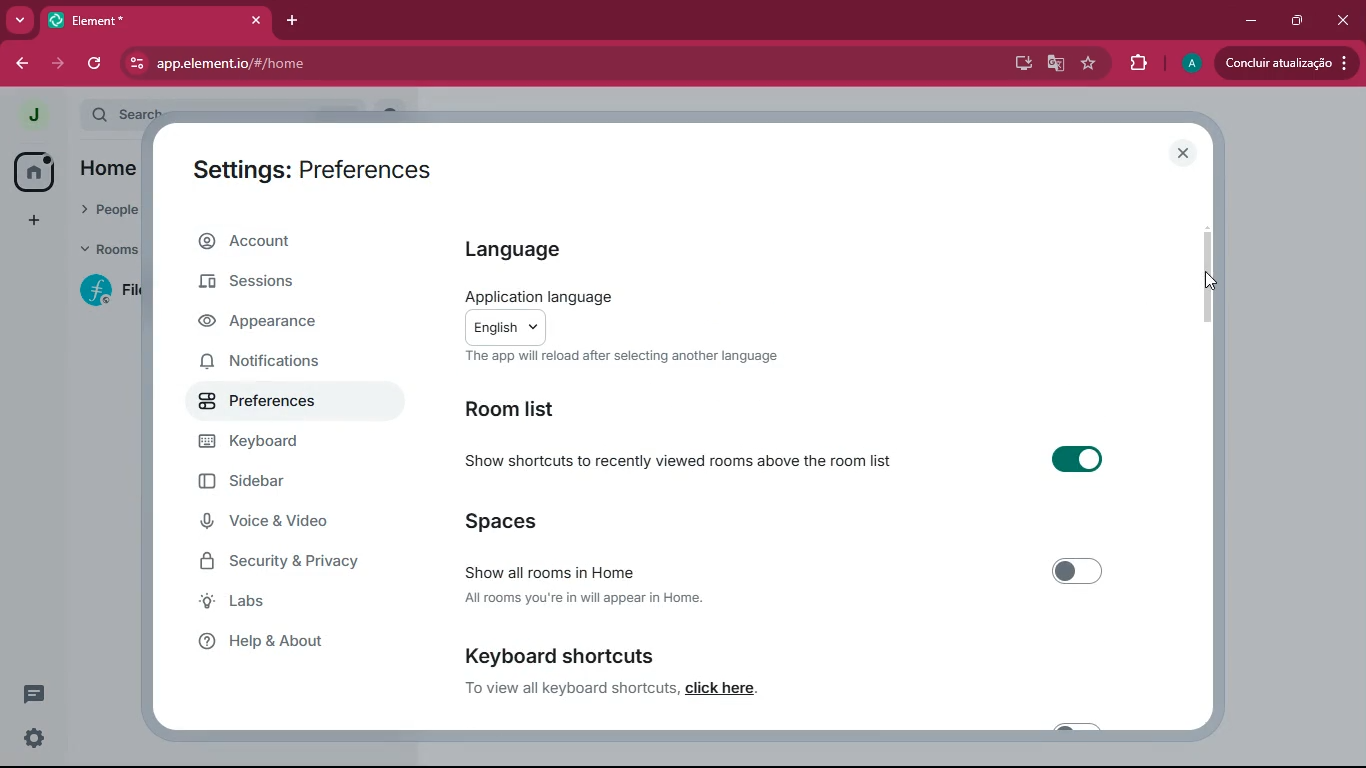  What do you see at coordinates (26, 222) in the screenshot?
I see `add` at bounding box center [26, 222].